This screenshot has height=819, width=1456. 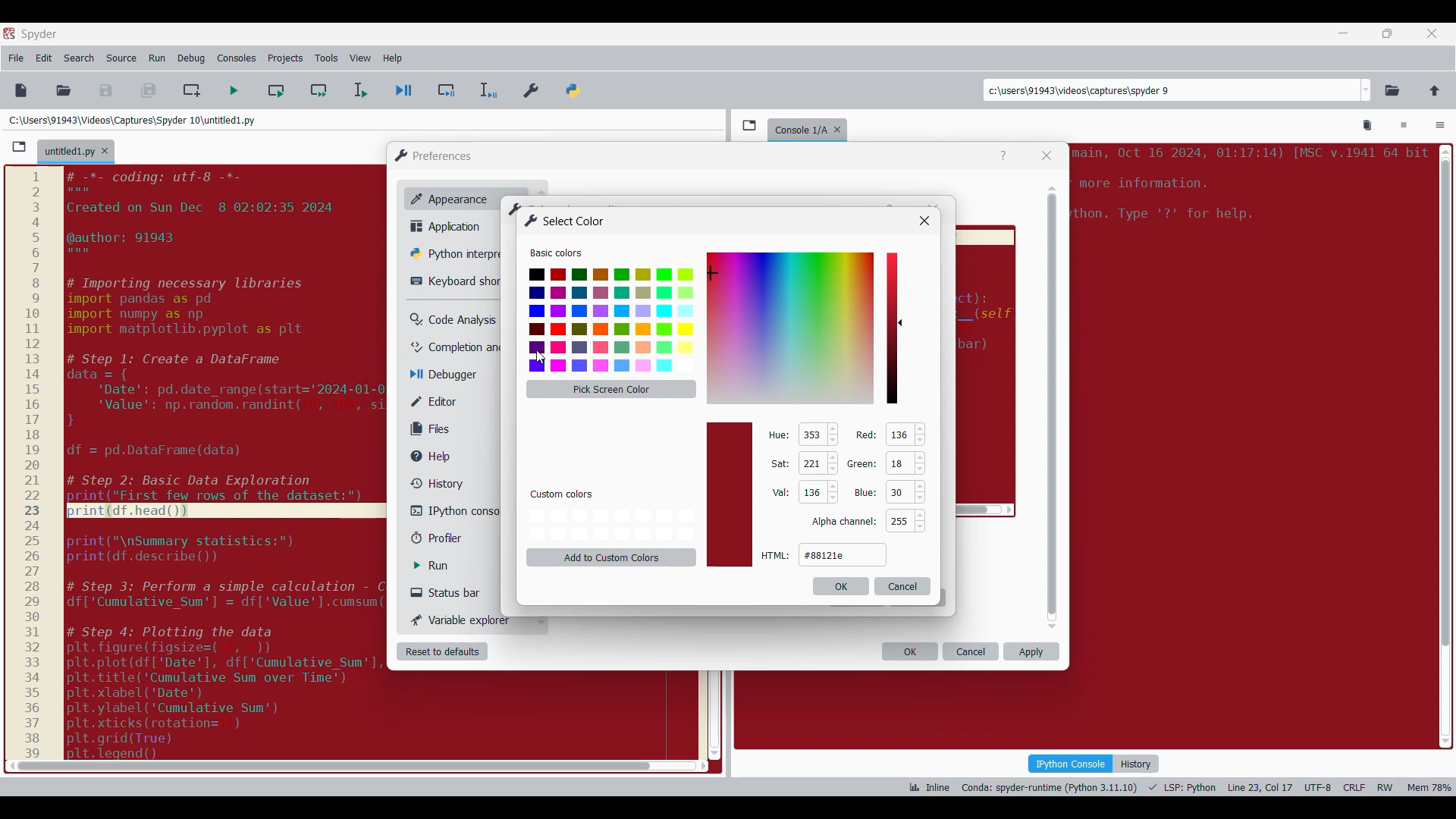 I want to click on Python interpreter, so click(x=453, y=253).